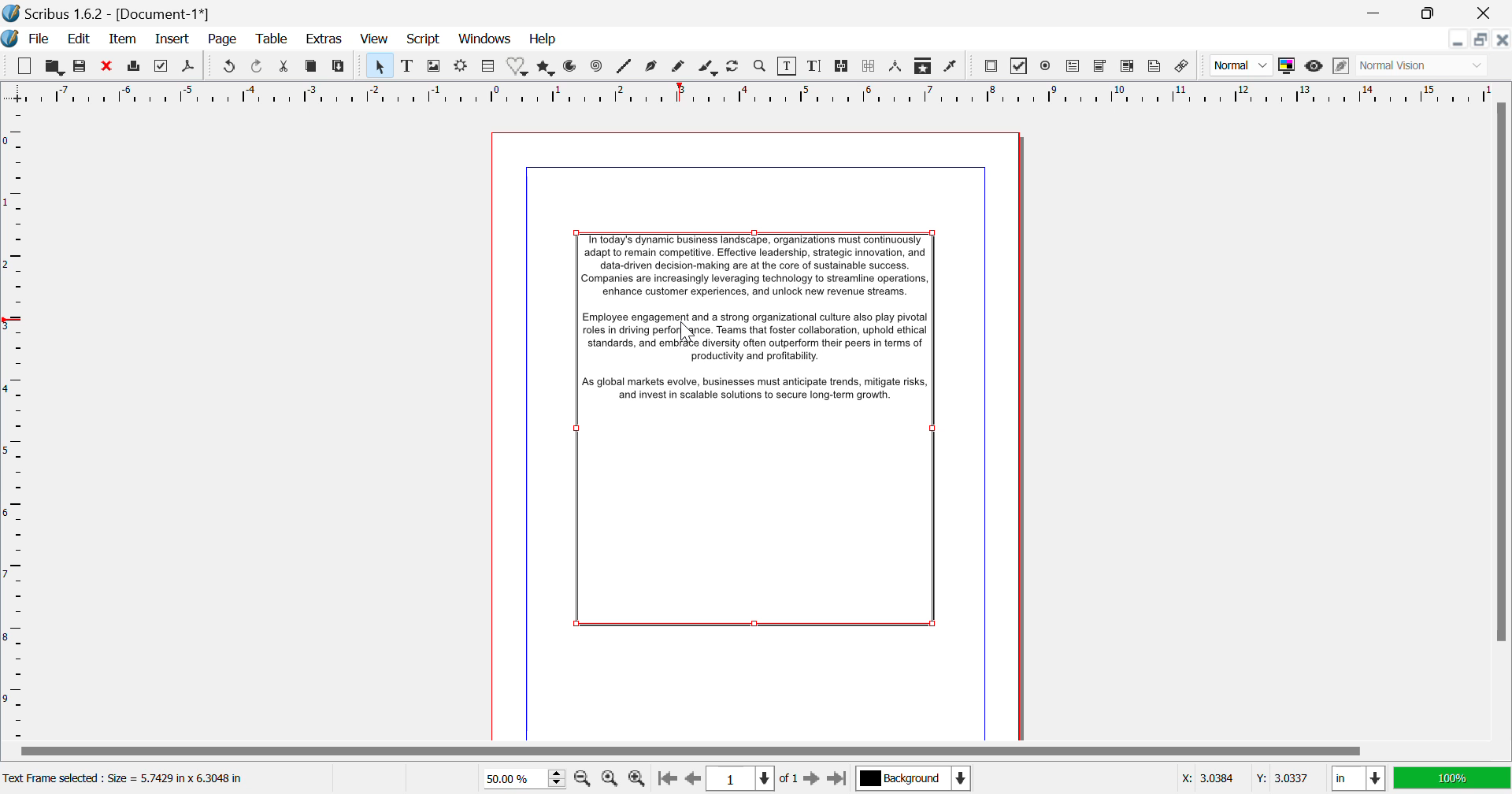  What do you see at coordinates (313, 66) in the screenshot?
I see `Copy` at bounding box center [313, 66].